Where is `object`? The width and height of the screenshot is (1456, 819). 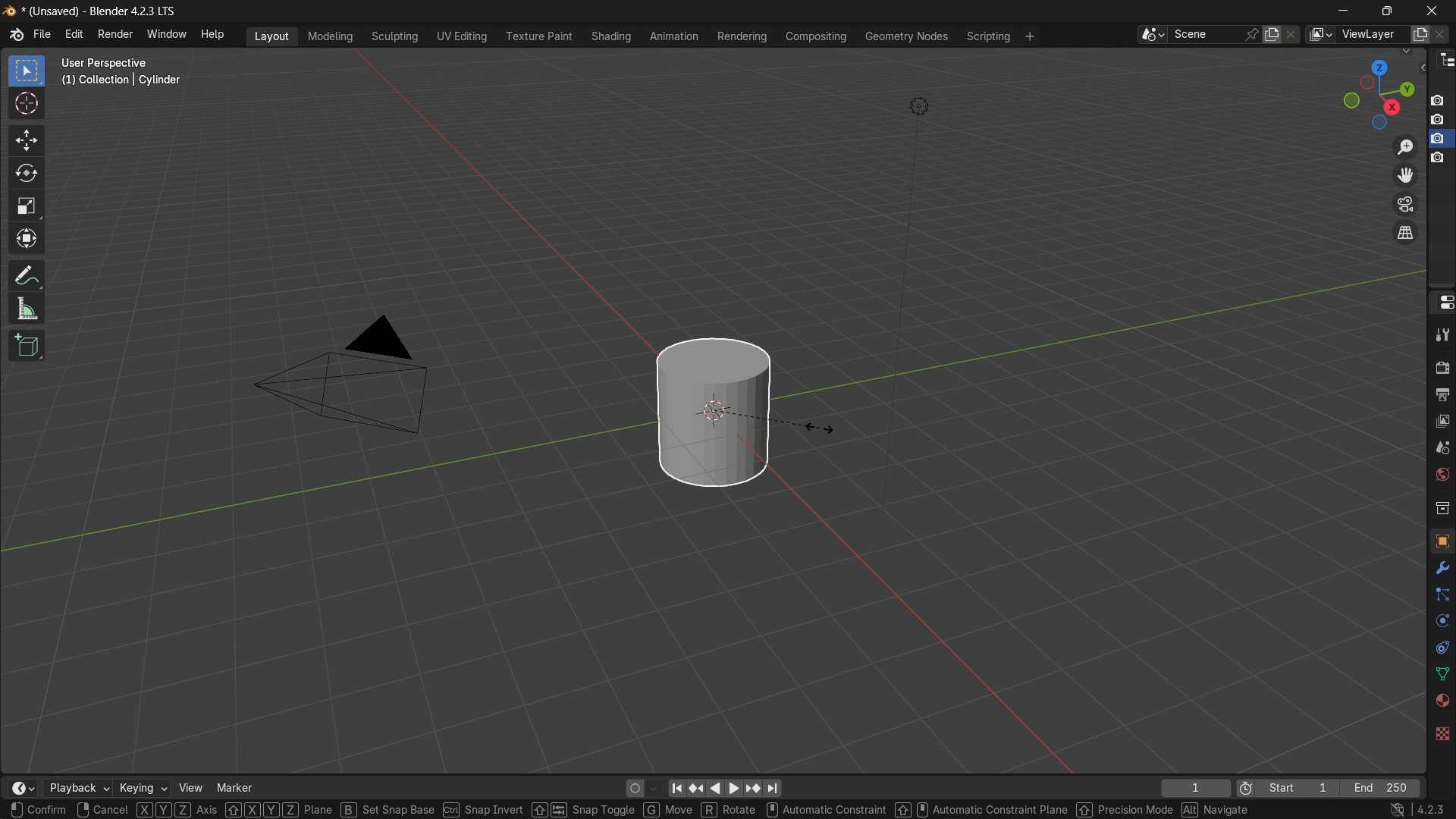
object is located at coordinates (1442, 540).